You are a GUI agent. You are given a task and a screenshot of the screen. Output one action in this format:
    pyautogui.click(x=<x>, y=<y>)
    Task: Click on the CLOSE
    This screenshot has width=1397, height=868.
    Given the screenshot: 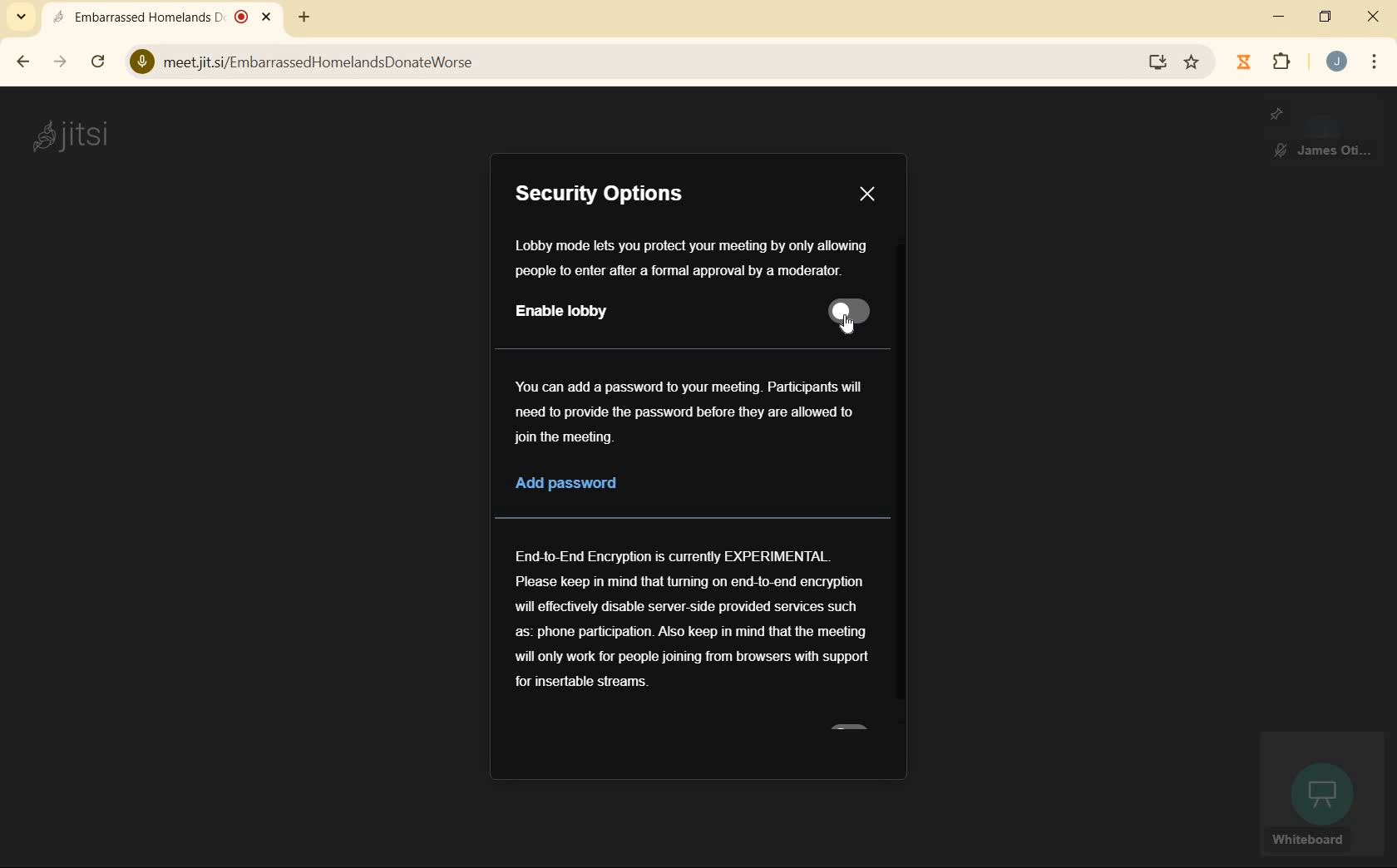 What is the action you would take?
    pyautogui.click(x=866, y=196)
    